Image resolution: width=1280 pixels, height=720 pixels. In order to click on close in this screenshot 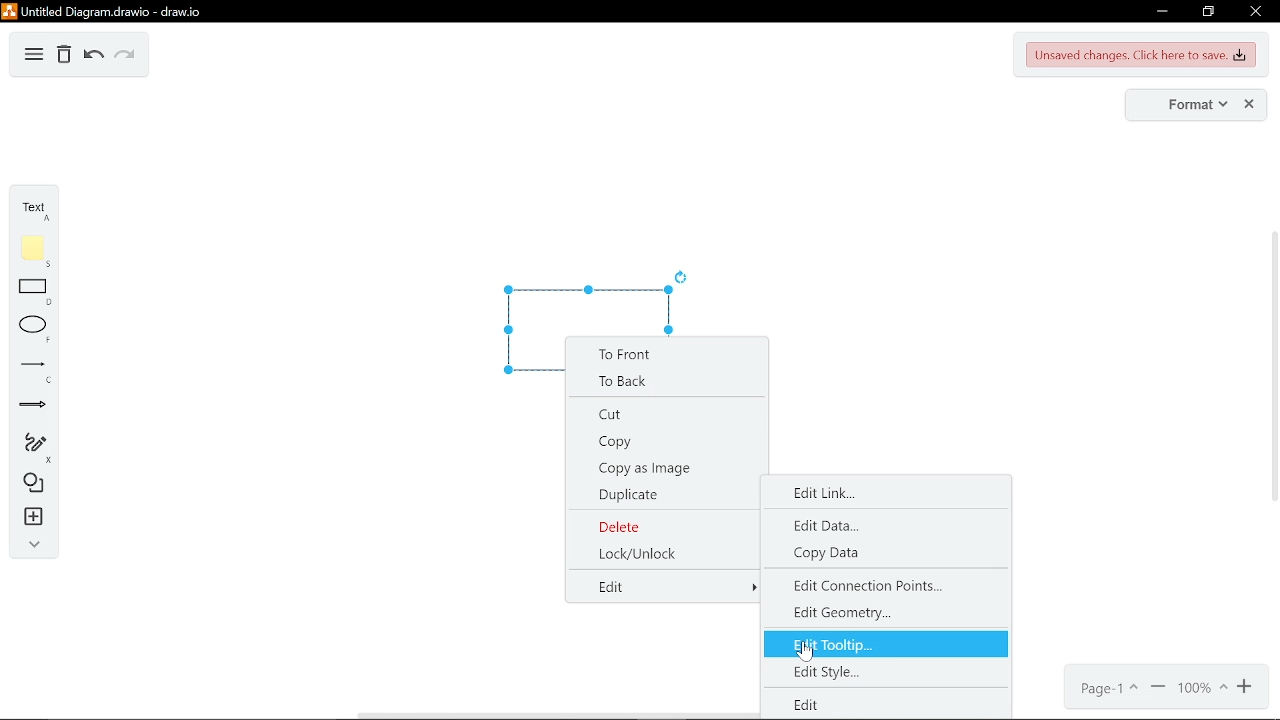, I will do `click(1251, 105)`.